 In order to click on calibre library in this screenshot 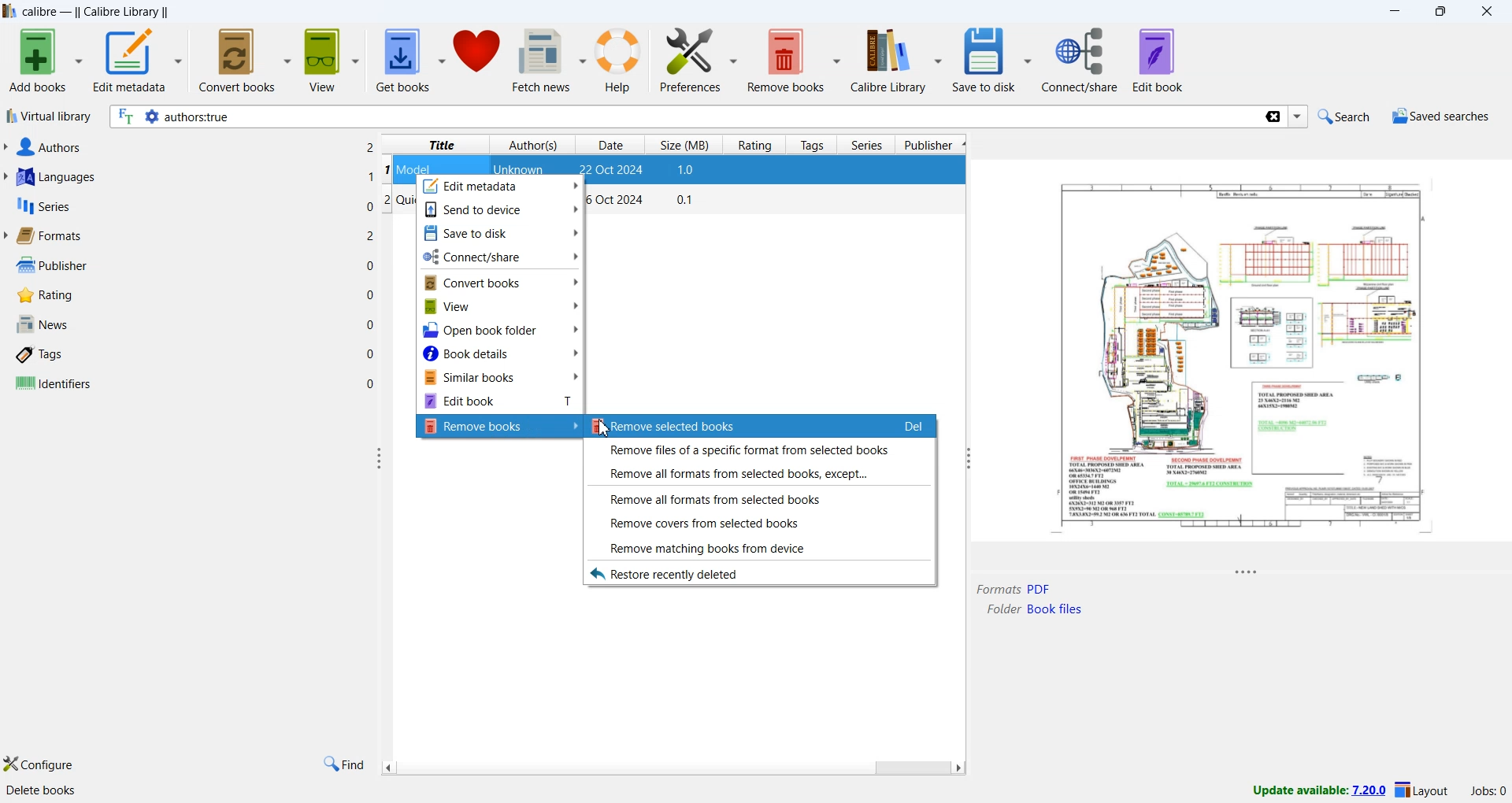, I will do `click(125, 13)`.